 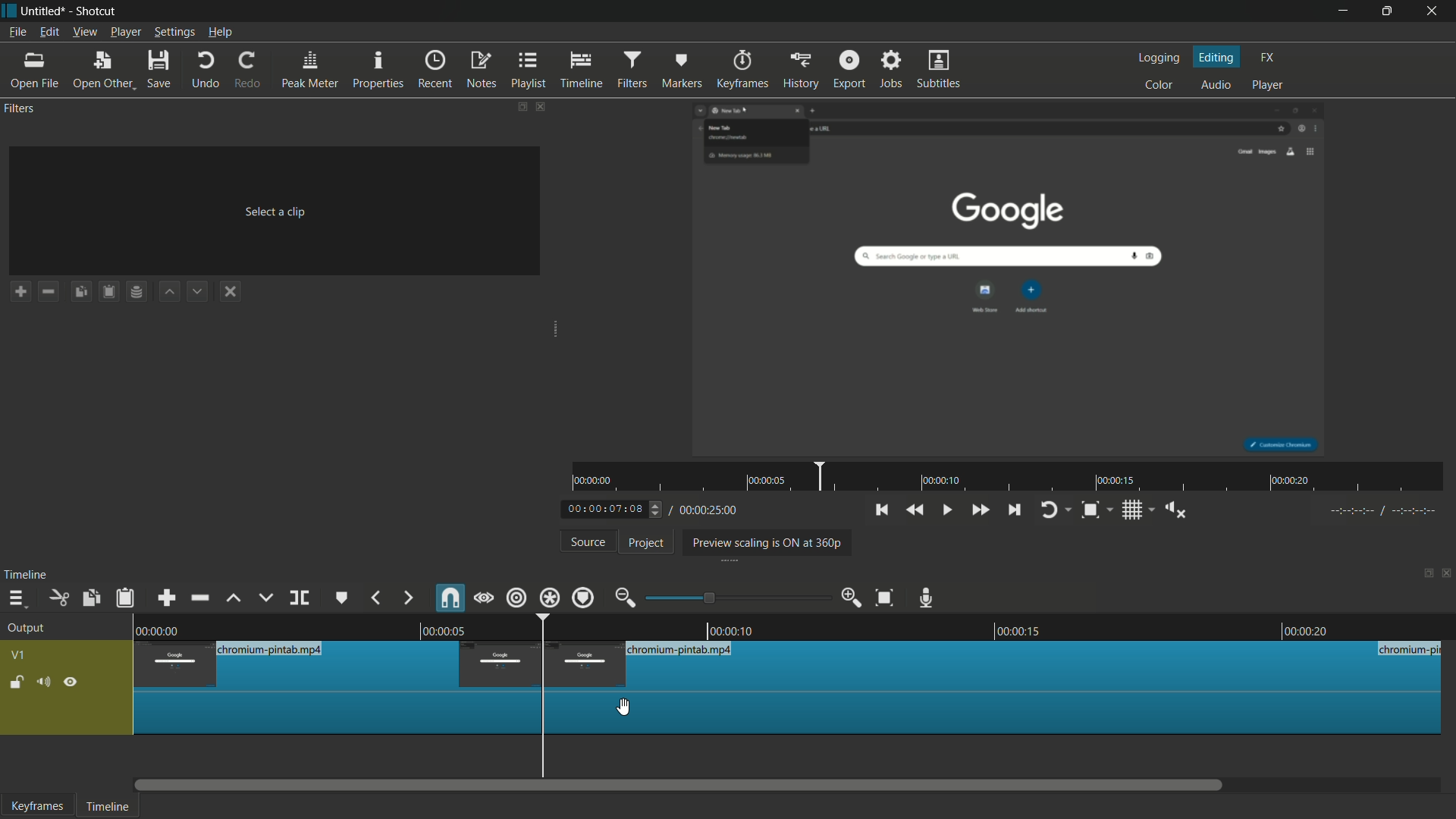 What do you see at coordinates (338, 689) in the screenshot?
I see `this segment has been split` at bounding box center [338, 689].